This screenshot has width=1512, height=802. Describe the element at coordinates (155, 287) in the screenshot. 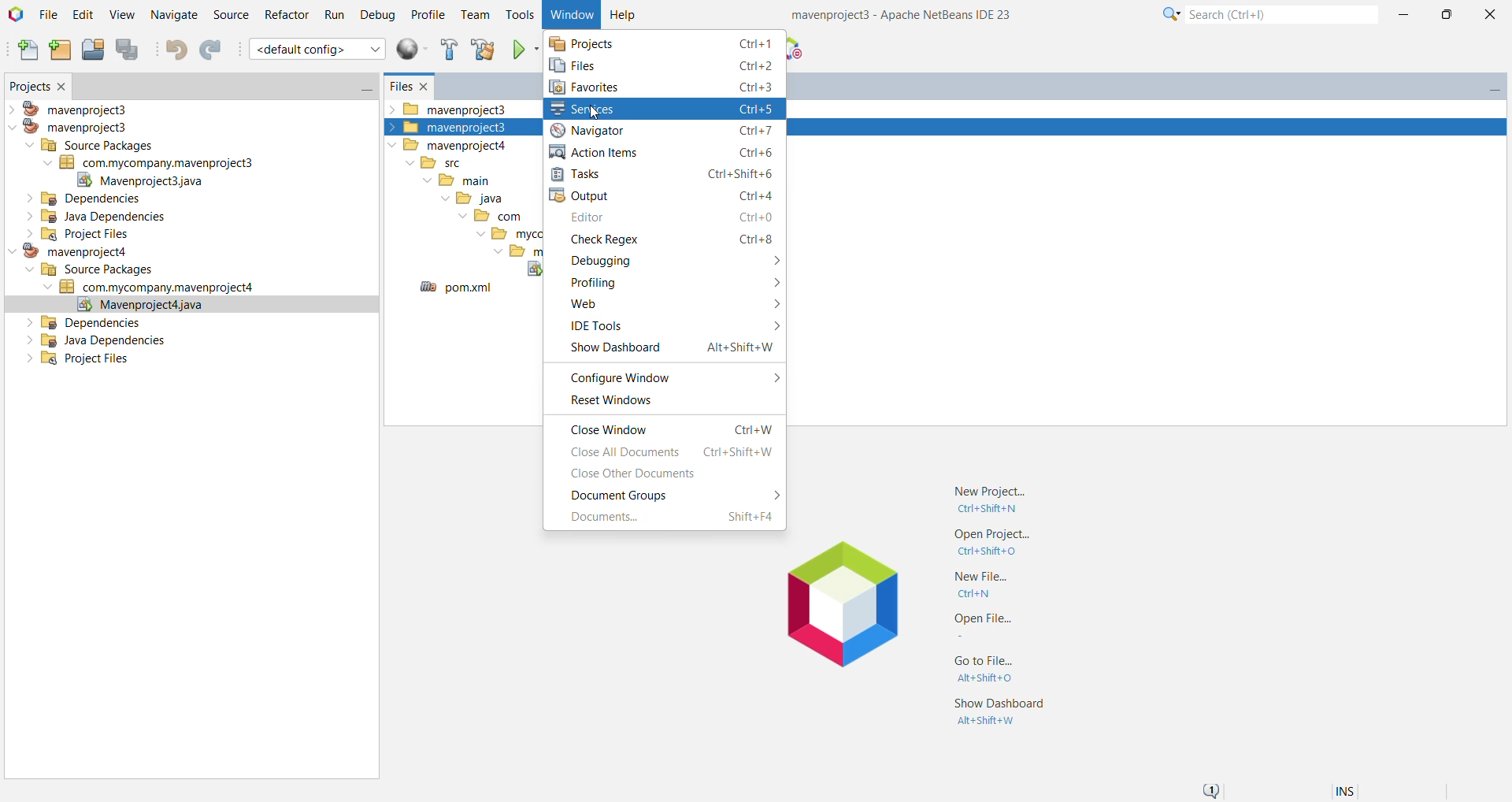

I see `Jave Source Package (com.mycompany.mavenproject4)` at that location.